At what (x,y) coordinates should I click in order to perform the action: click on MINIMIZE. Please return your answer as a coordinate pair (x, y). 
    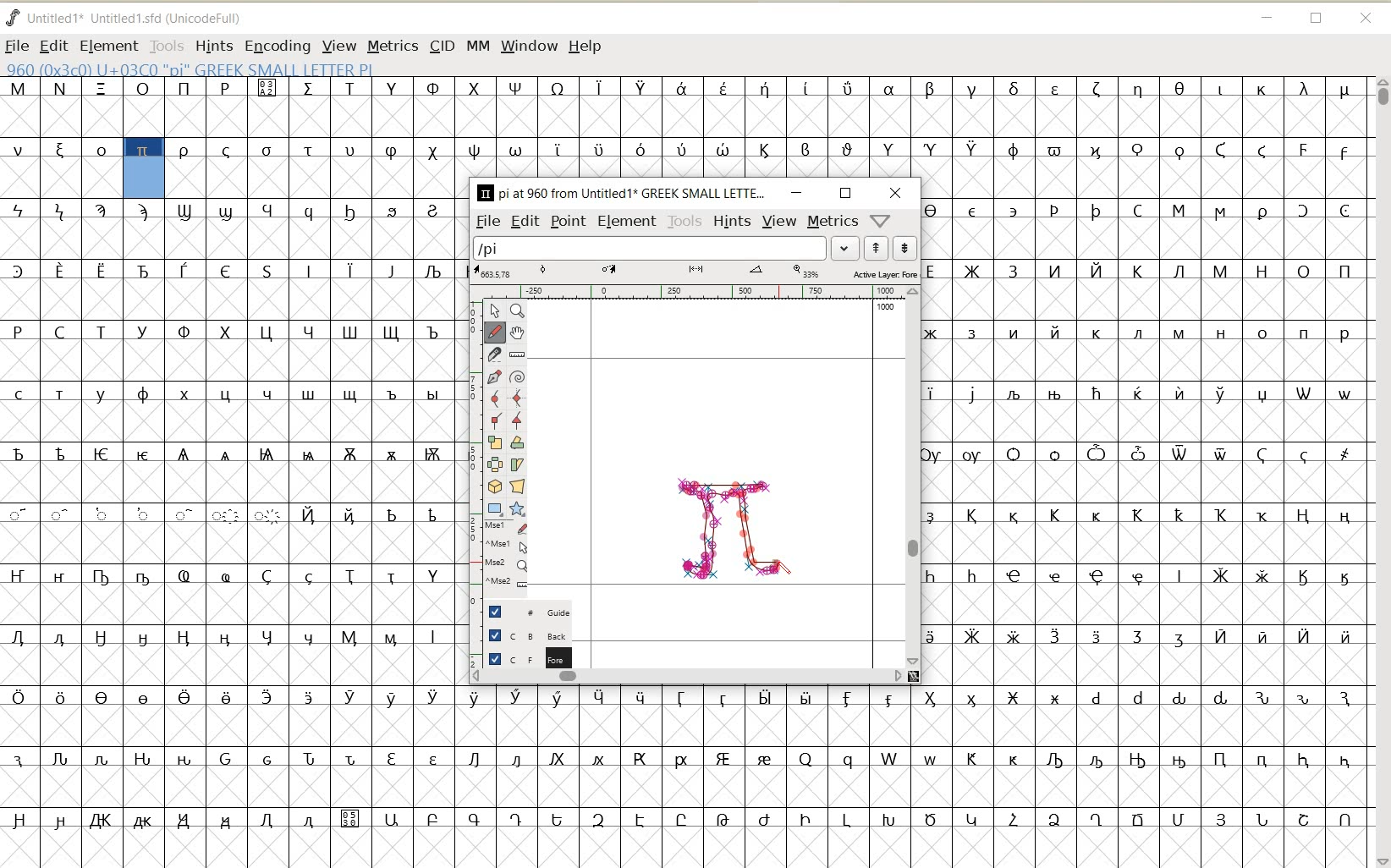
    Looking at the image, I should click on (795, 194).